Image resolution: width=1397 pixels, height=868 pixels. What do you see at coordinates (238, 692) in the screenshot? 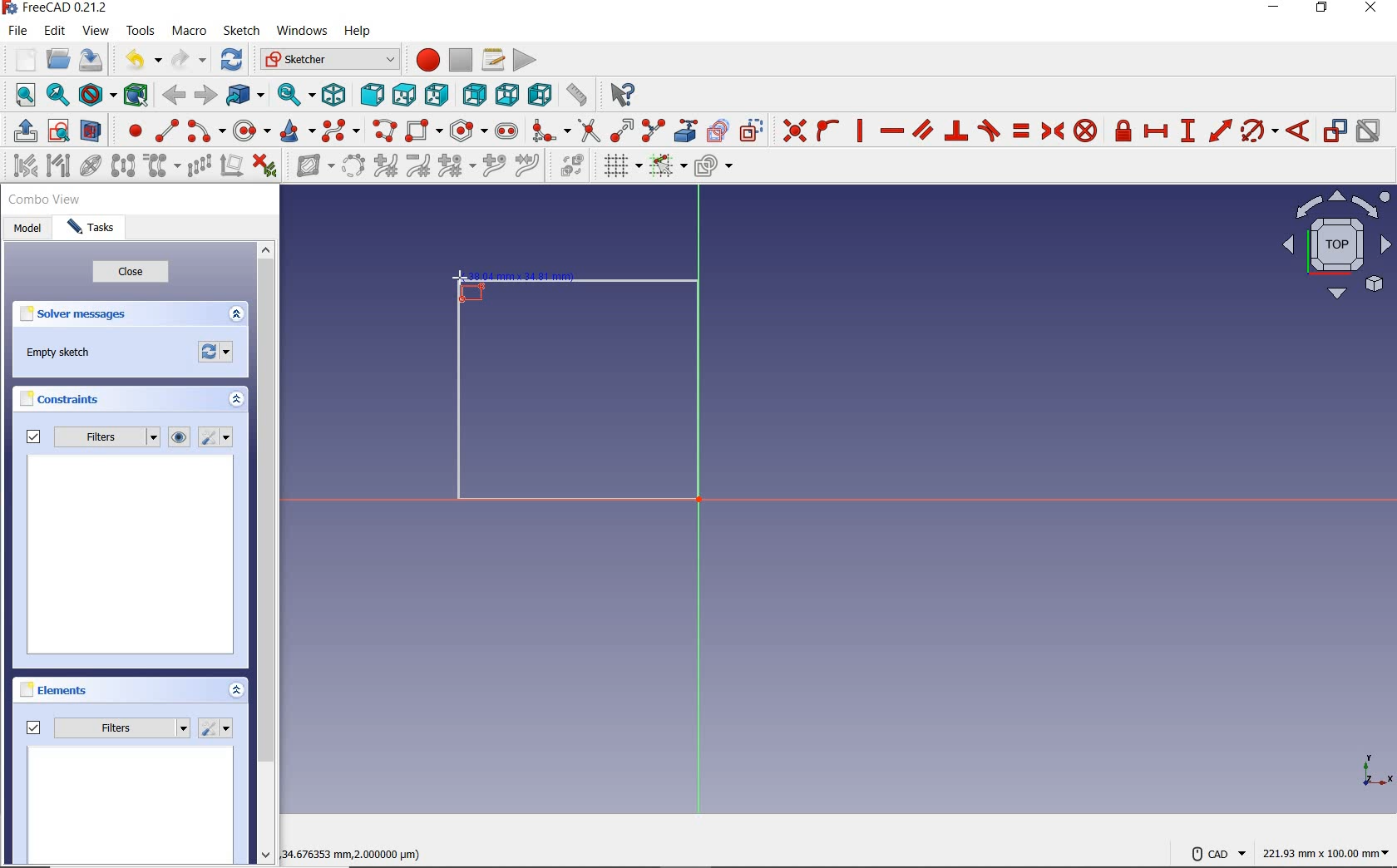
I see `expand` at bounding box center [238, 692].